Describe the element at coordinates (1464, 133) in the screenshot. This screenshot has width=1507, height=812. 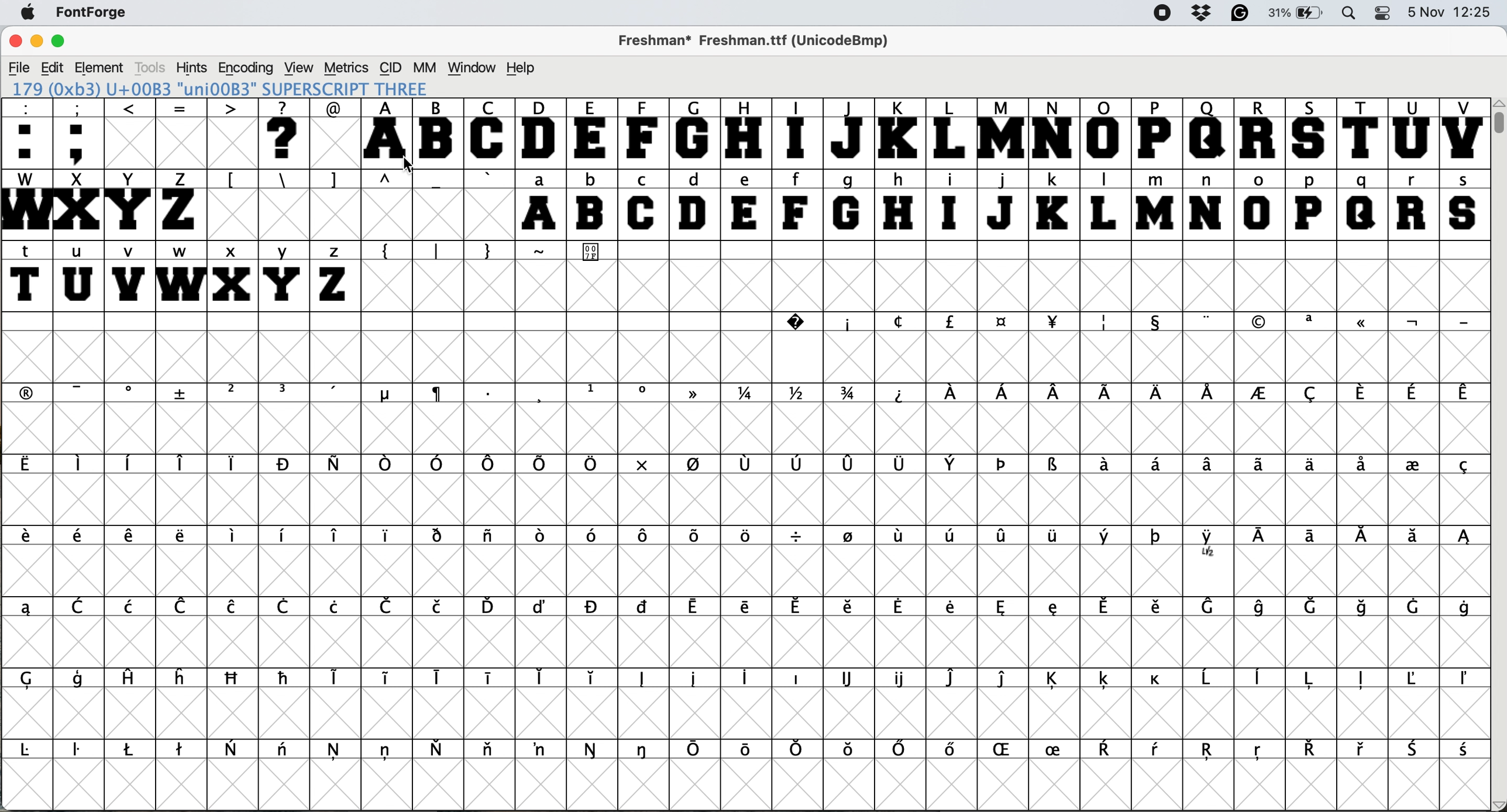
I see `V` at that location.